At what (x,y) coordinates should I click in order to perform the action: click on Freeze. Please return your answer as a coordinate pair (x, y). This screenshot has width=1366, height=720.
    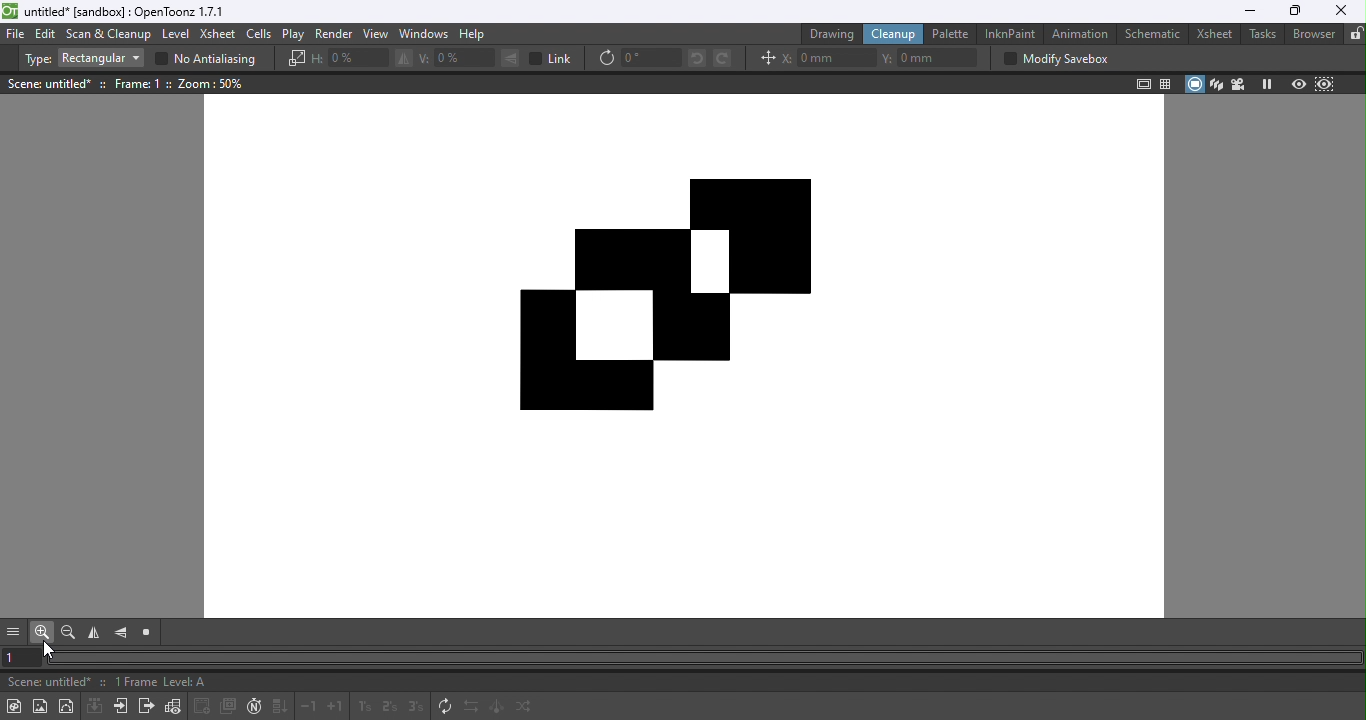
    Looking at the image, I should click on (1265, 84).